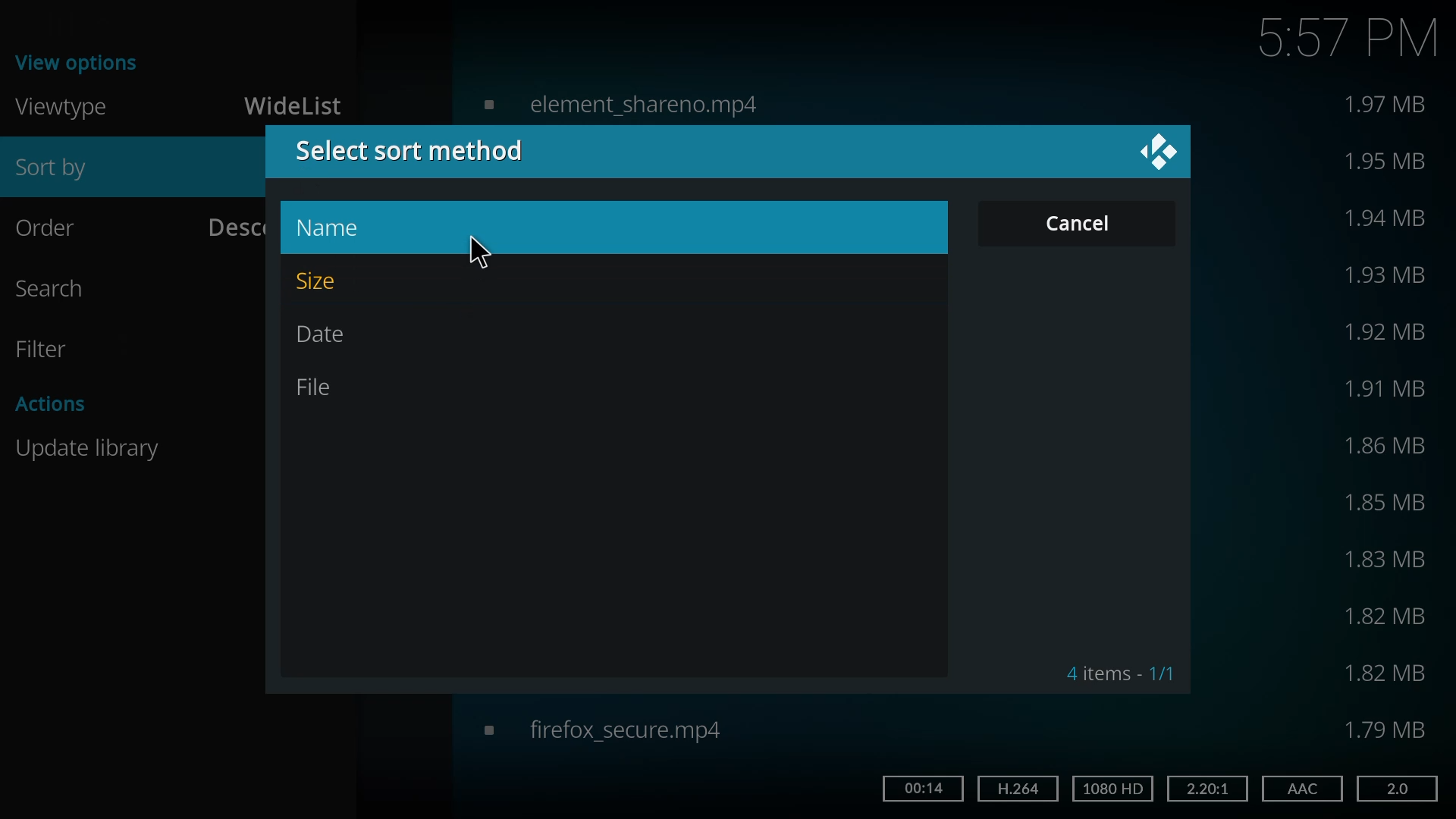  What do you see at coordinates (59, 227) in the screenshot?
I see `order` at bounding box center [59, 227].